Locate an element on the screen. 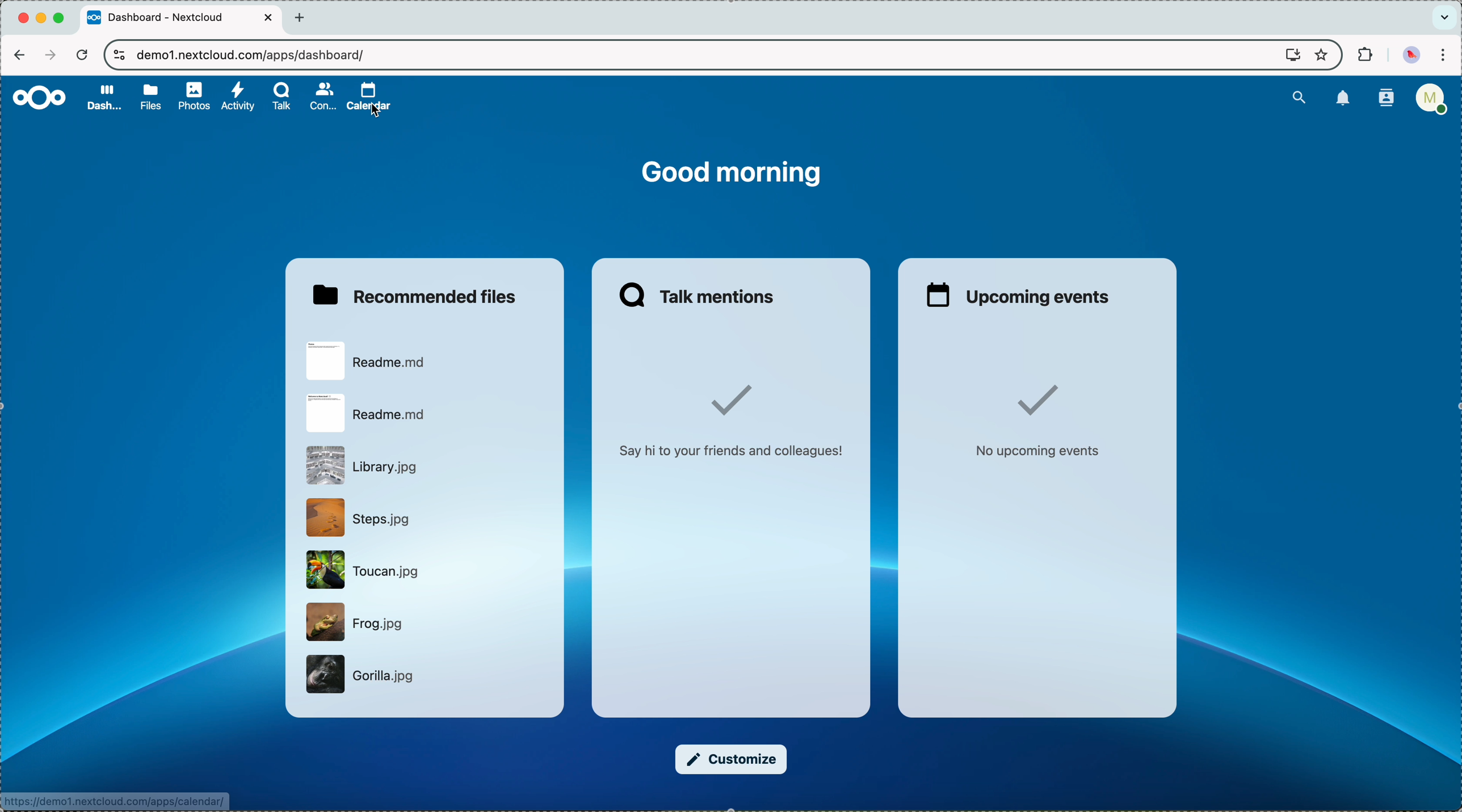 Image resolution: width=1462 pixels, height=812 pixels. URL is located at coordinates (253, 53).